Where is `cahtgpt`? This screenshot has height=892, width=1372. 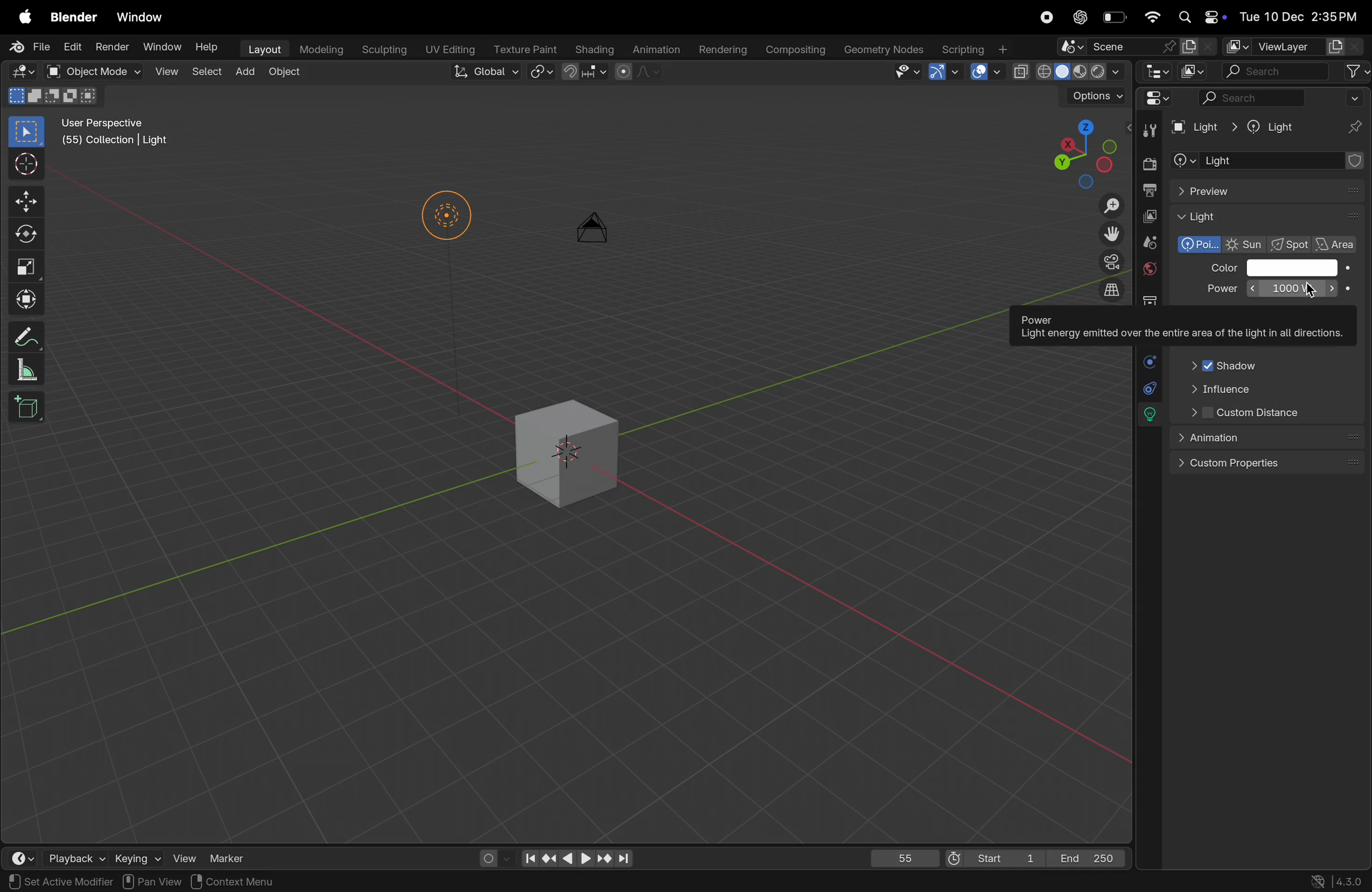 cahtgpt is located at coordinates (1079, 17).